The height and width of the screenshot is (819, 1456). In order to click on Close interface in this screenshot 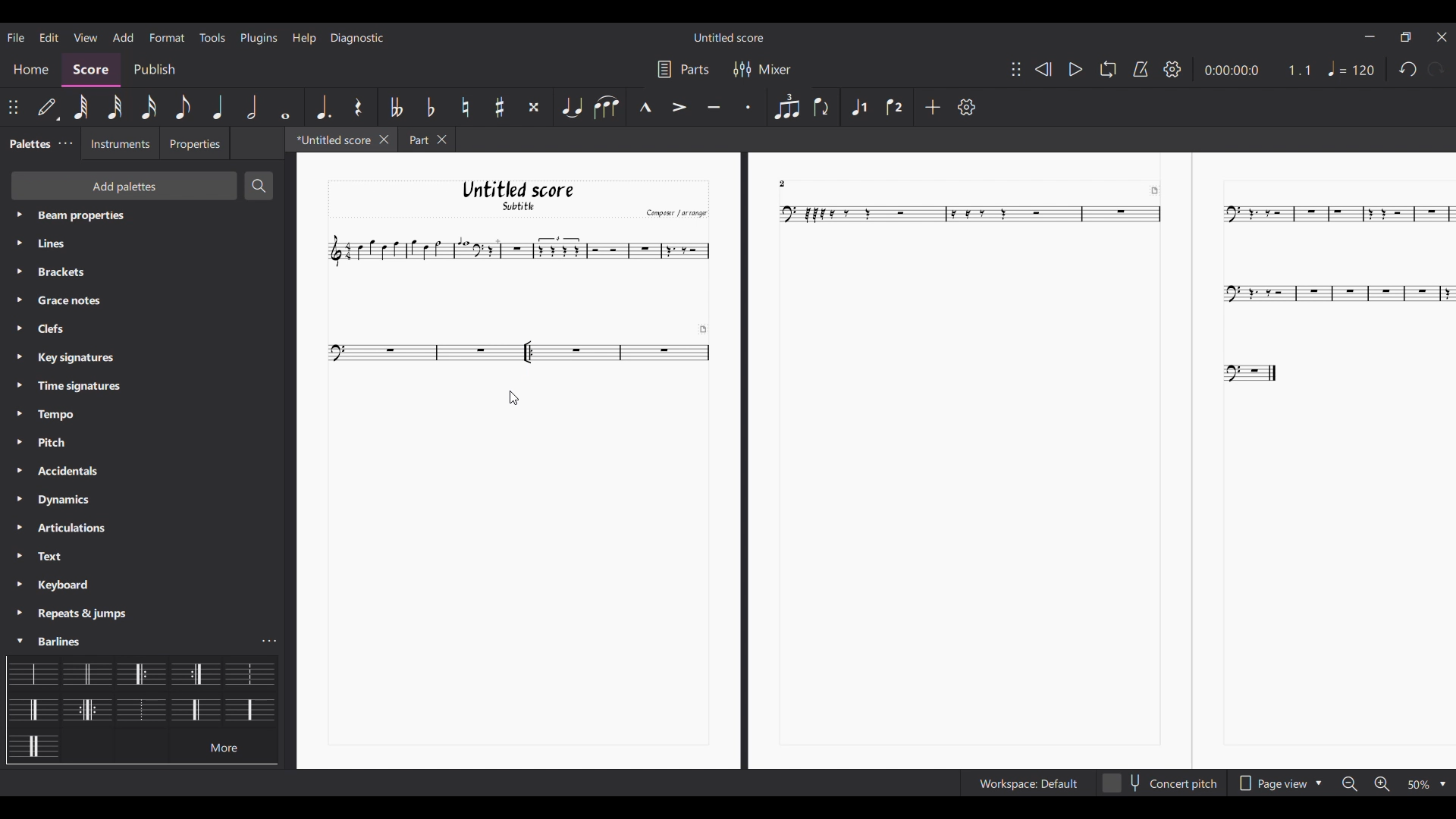, I will do `click(1442, 37)`.